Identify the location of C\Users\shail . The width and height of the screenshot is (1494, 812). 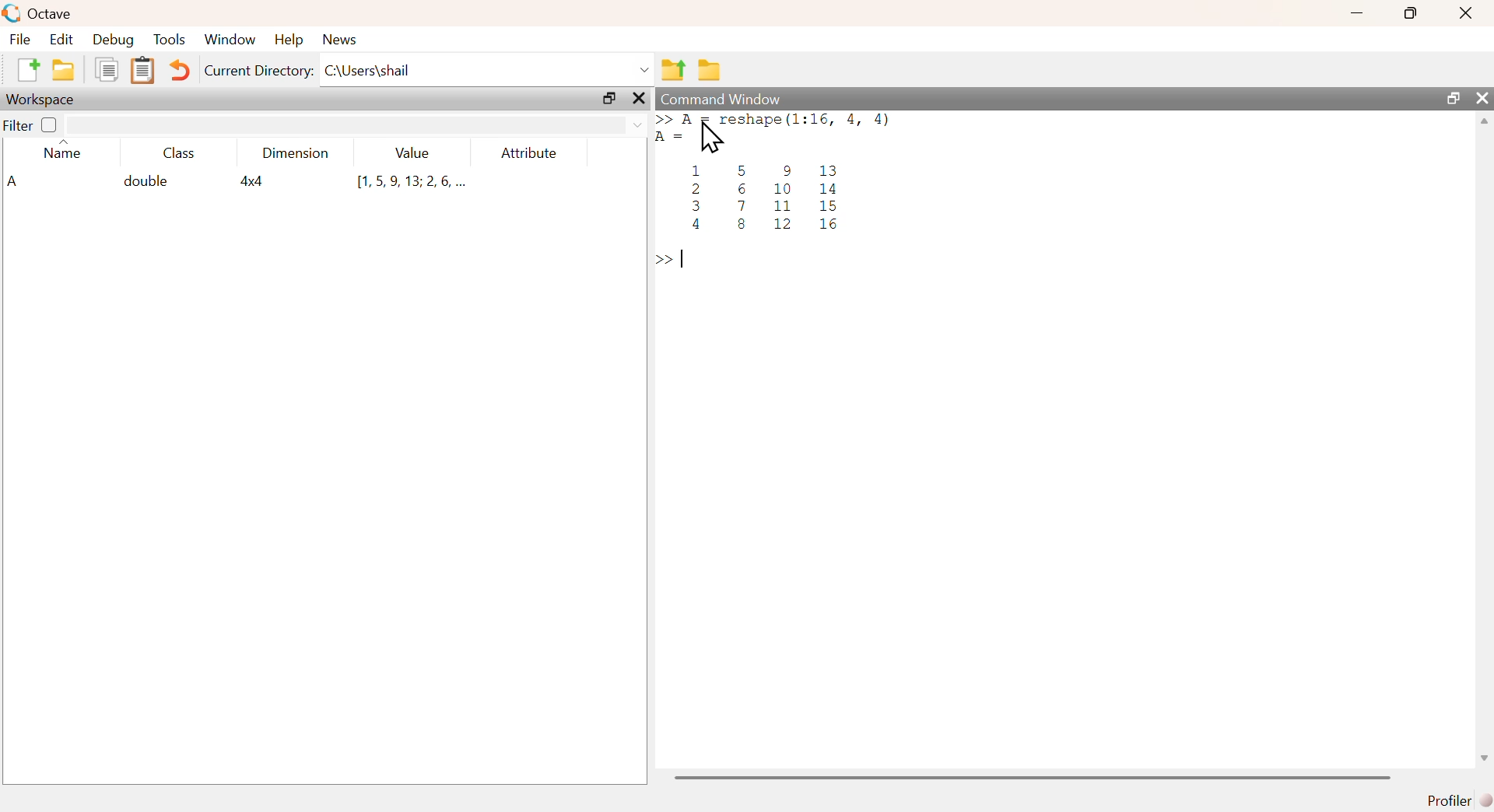
(488, 69).